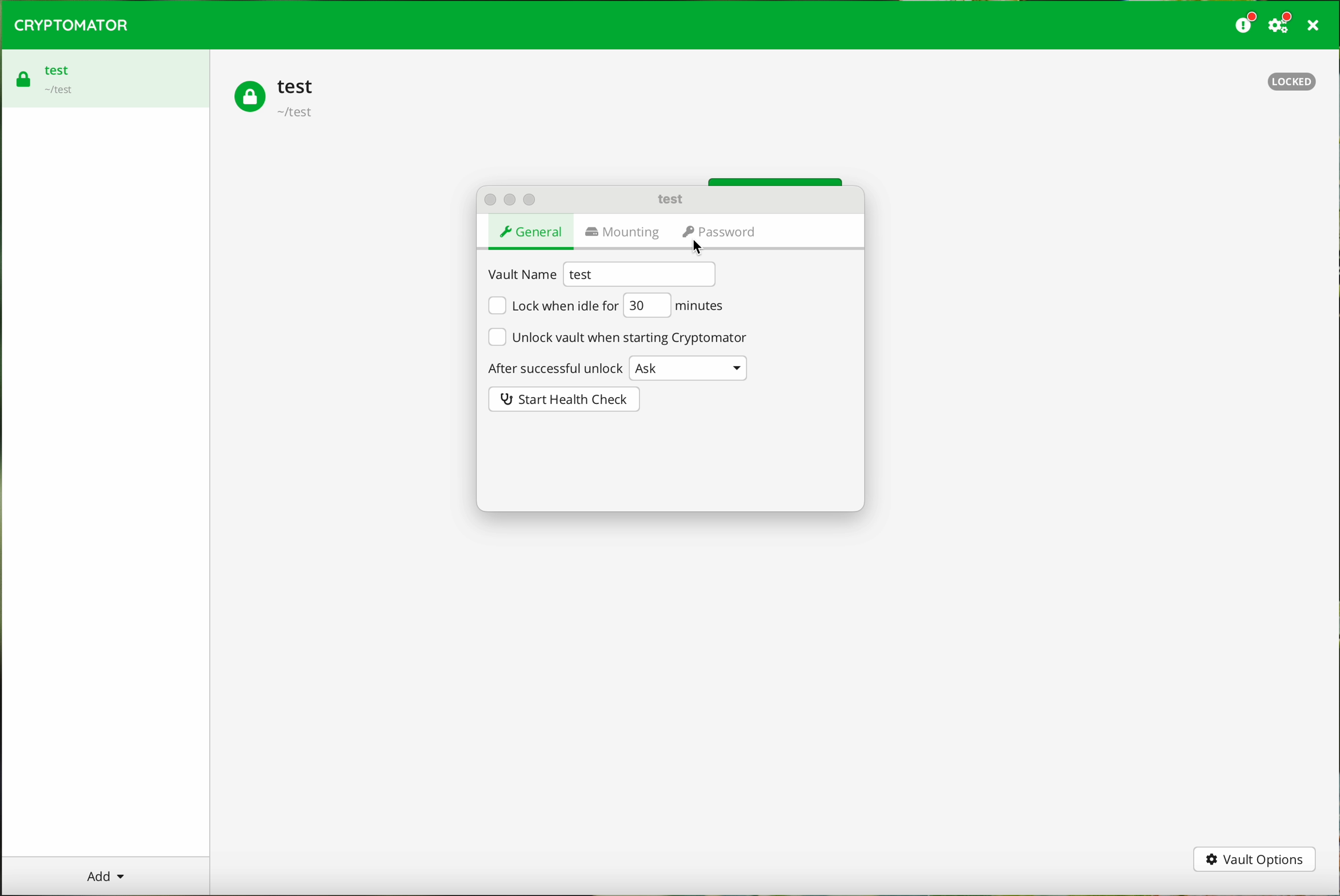  I want to click on test vault, so click(49, 75).